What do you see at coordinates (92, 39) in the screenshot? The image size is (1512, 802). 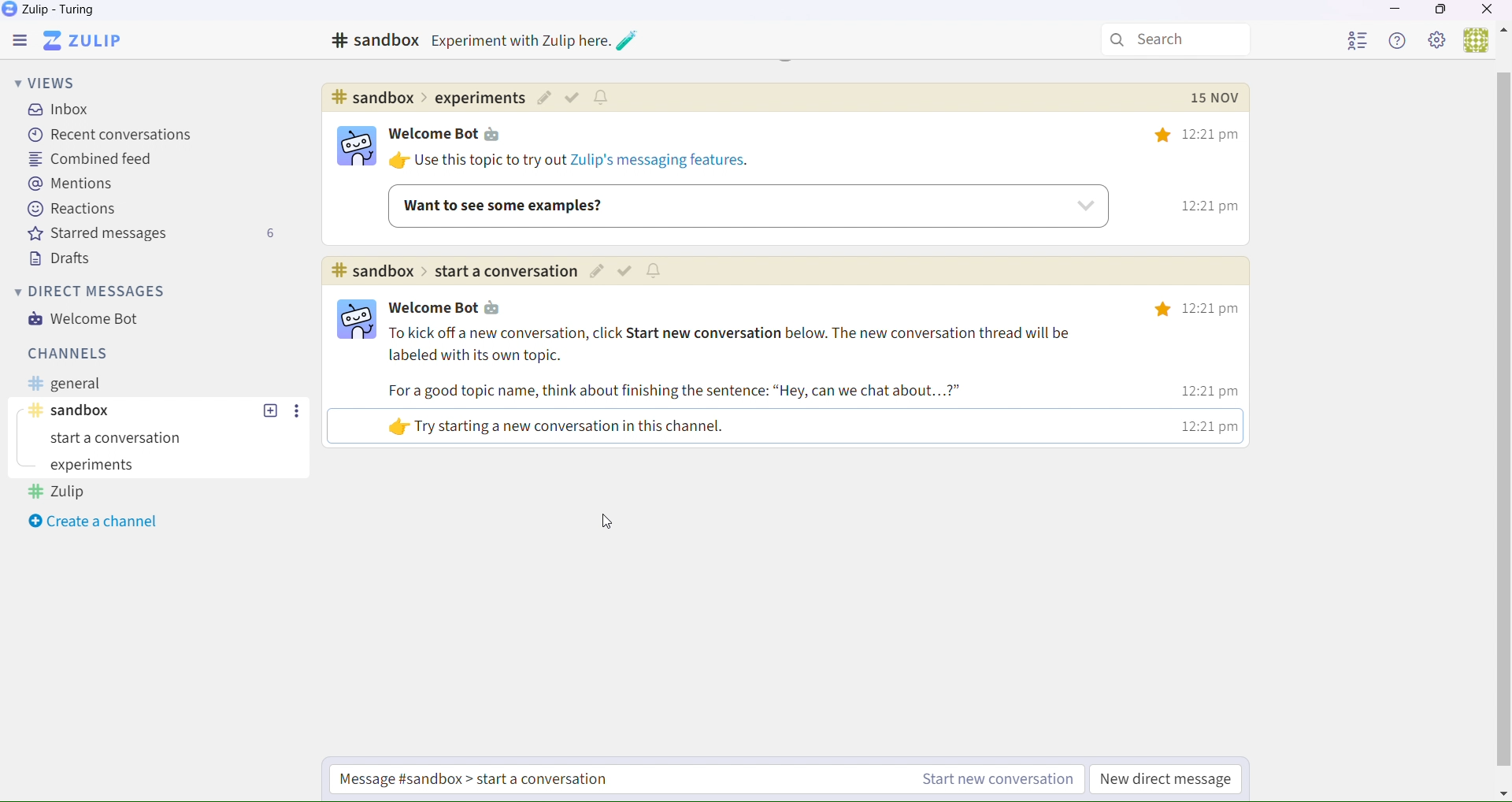 I see `Zulip` at bounding box center [92, 39].